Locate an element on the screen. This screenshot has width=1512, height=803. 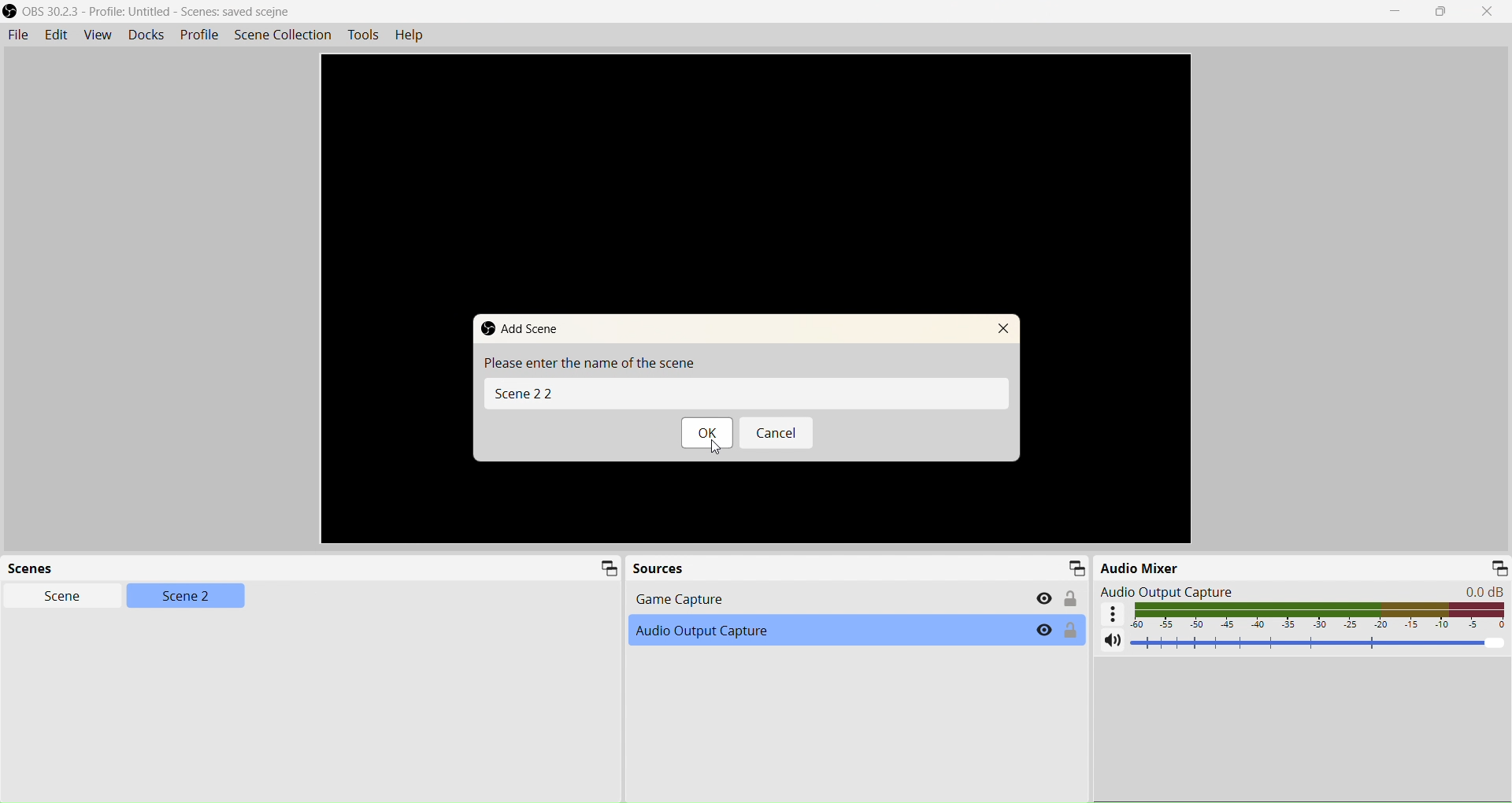
Cursor is located at coordinates (713, 447).